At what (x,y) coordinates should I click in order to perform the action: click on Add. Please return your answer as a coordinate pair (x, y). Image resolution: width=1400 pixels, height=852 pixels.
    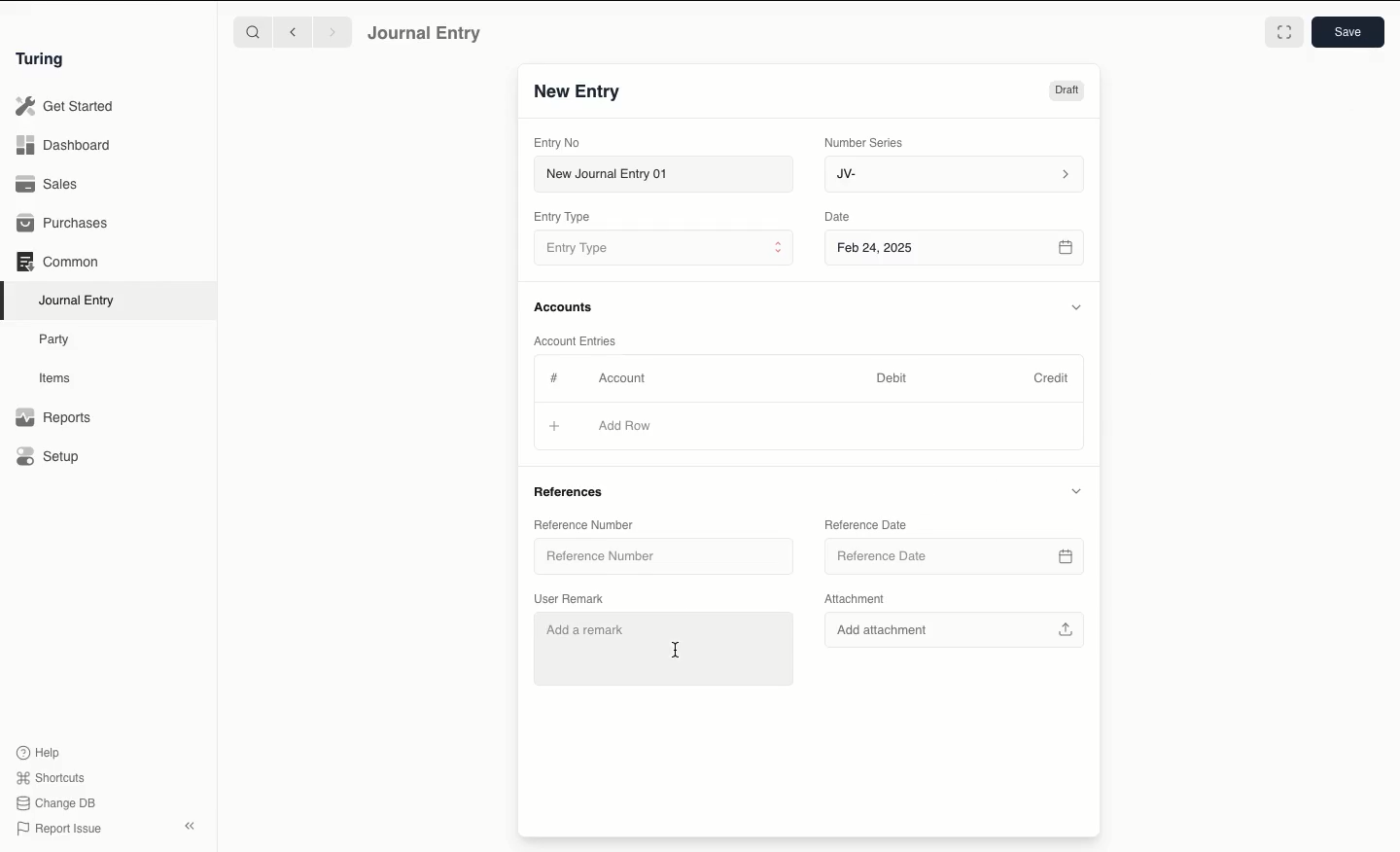
    Looking at the image, I should click on (555, 426).